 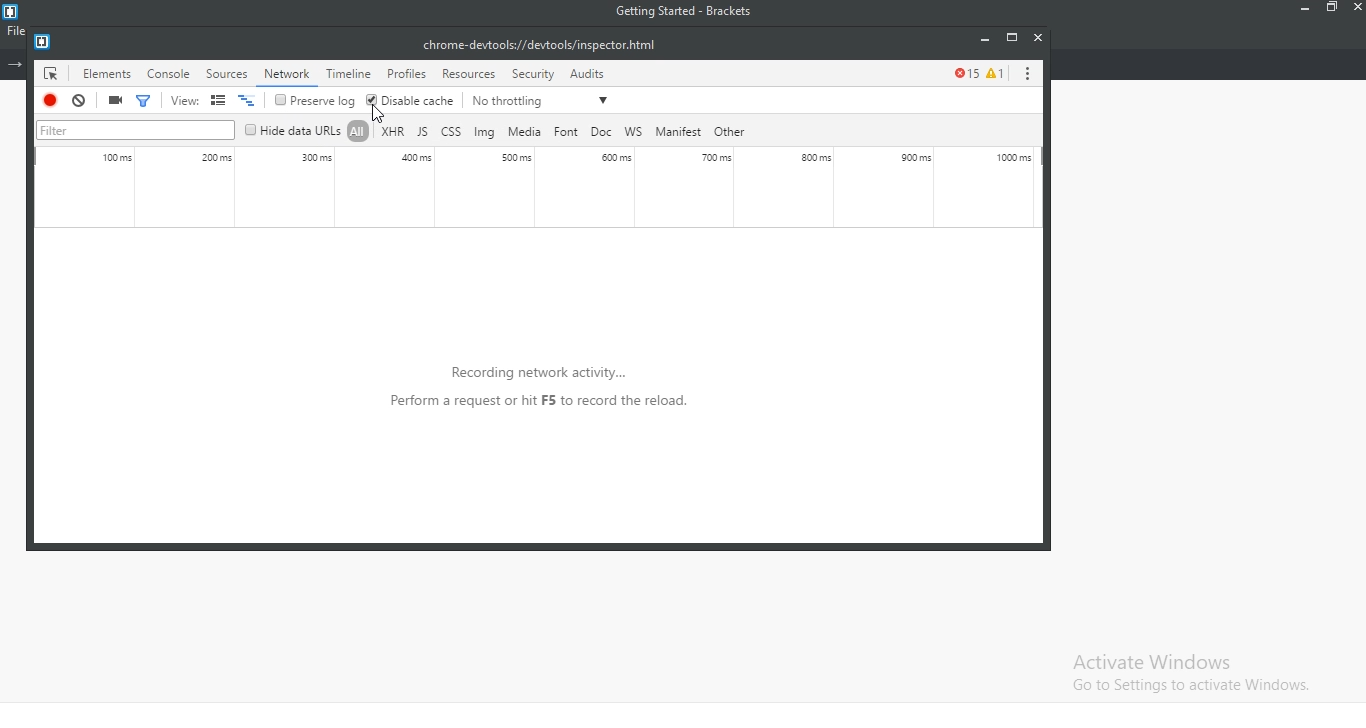 I want to click on logo, so click(x=15, y=11).